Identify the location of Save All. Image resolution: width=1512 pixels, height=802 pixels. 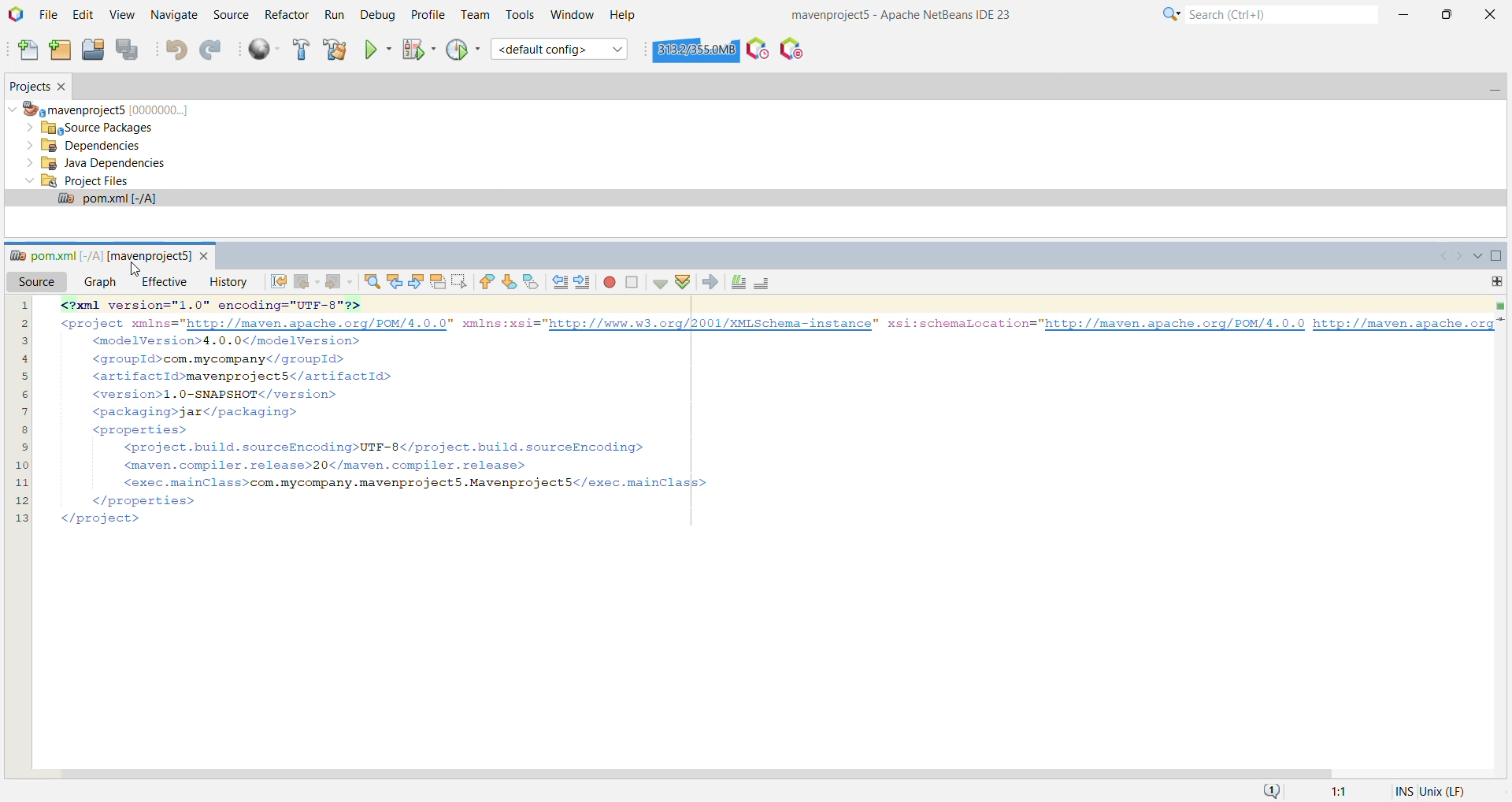
(130, 50).